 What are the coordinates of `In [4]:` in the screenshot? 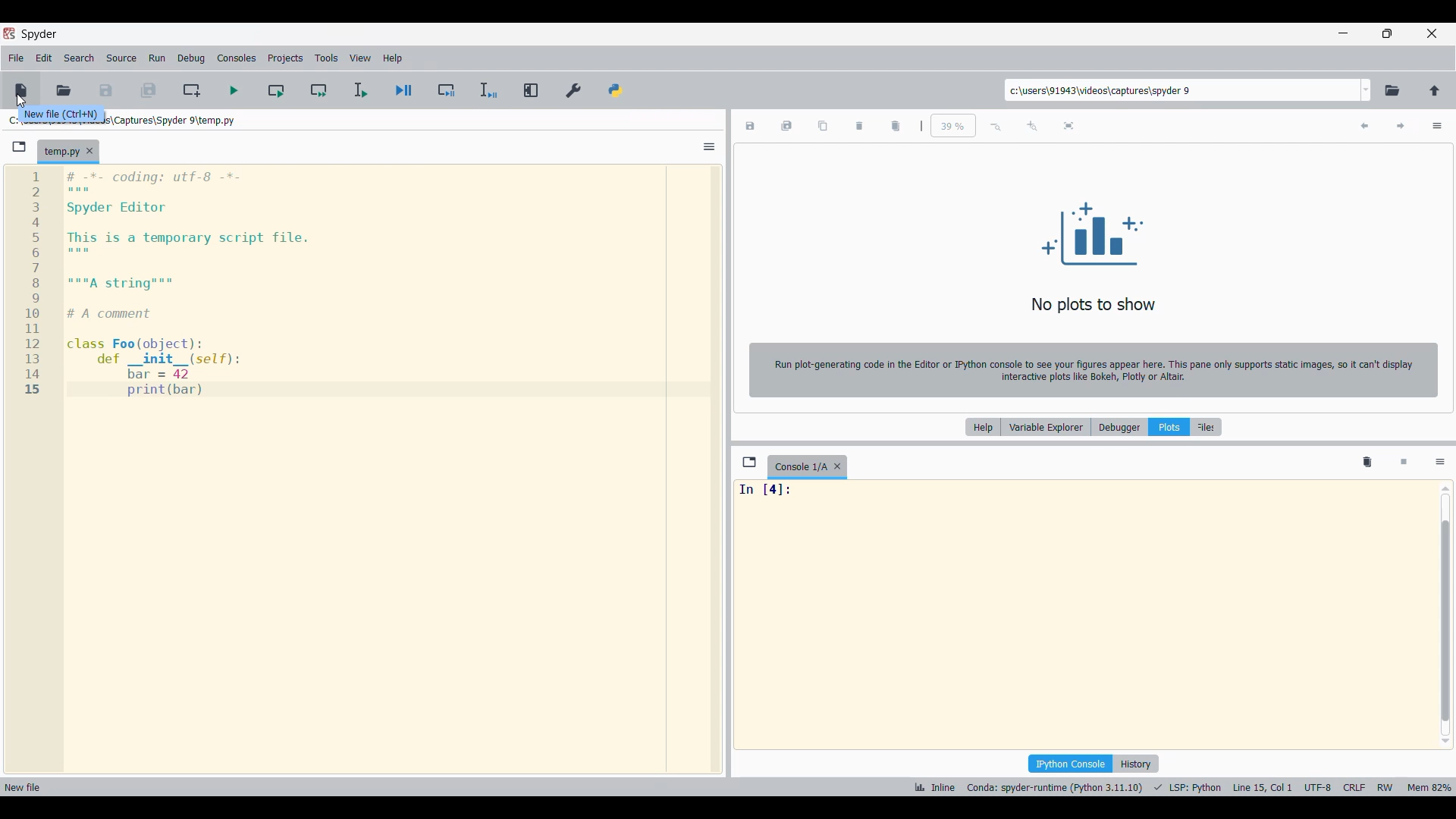 It's located at (1081, 494).